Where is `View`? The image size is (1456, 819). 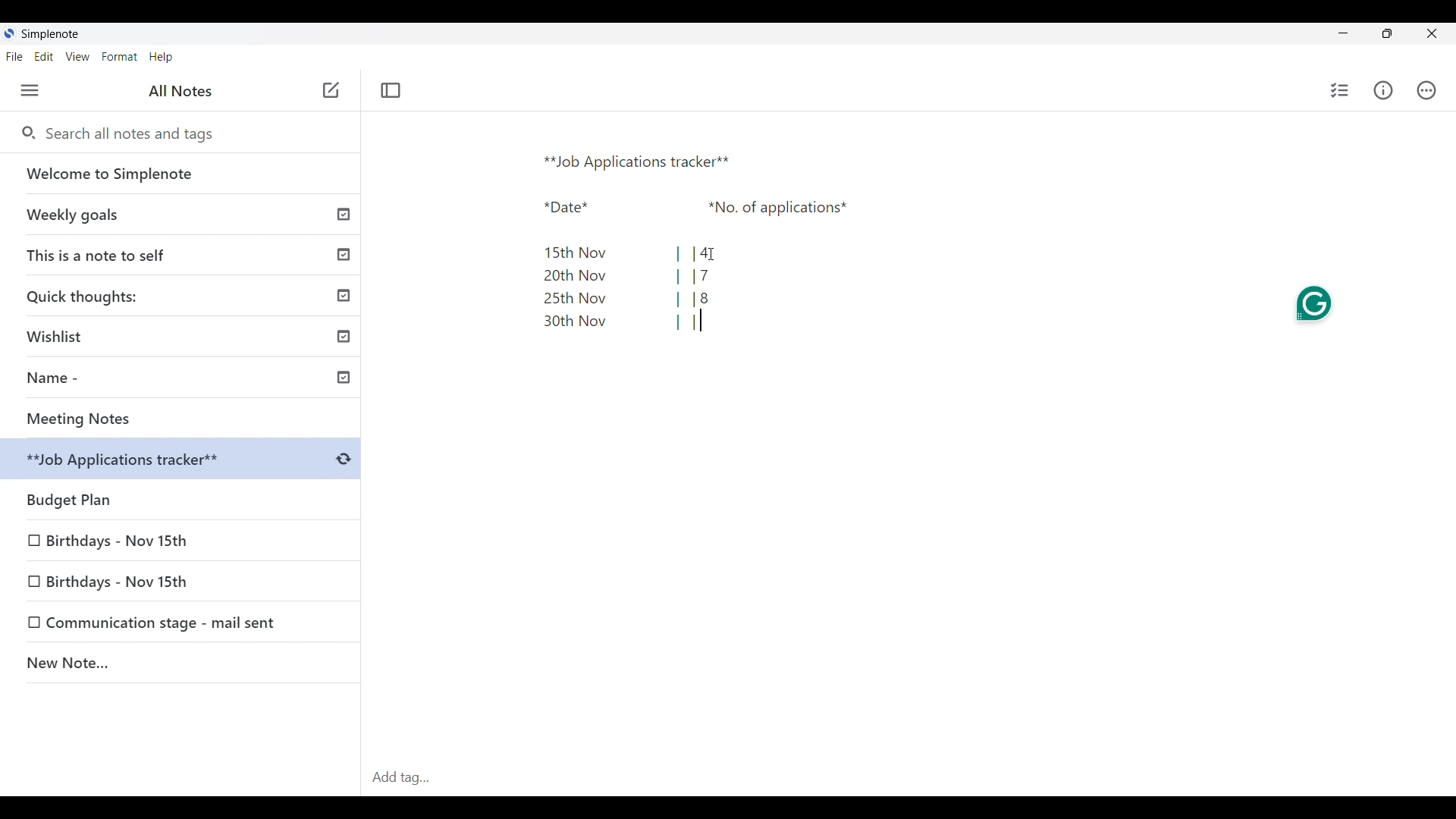 View is located at coordinates (77, 57).